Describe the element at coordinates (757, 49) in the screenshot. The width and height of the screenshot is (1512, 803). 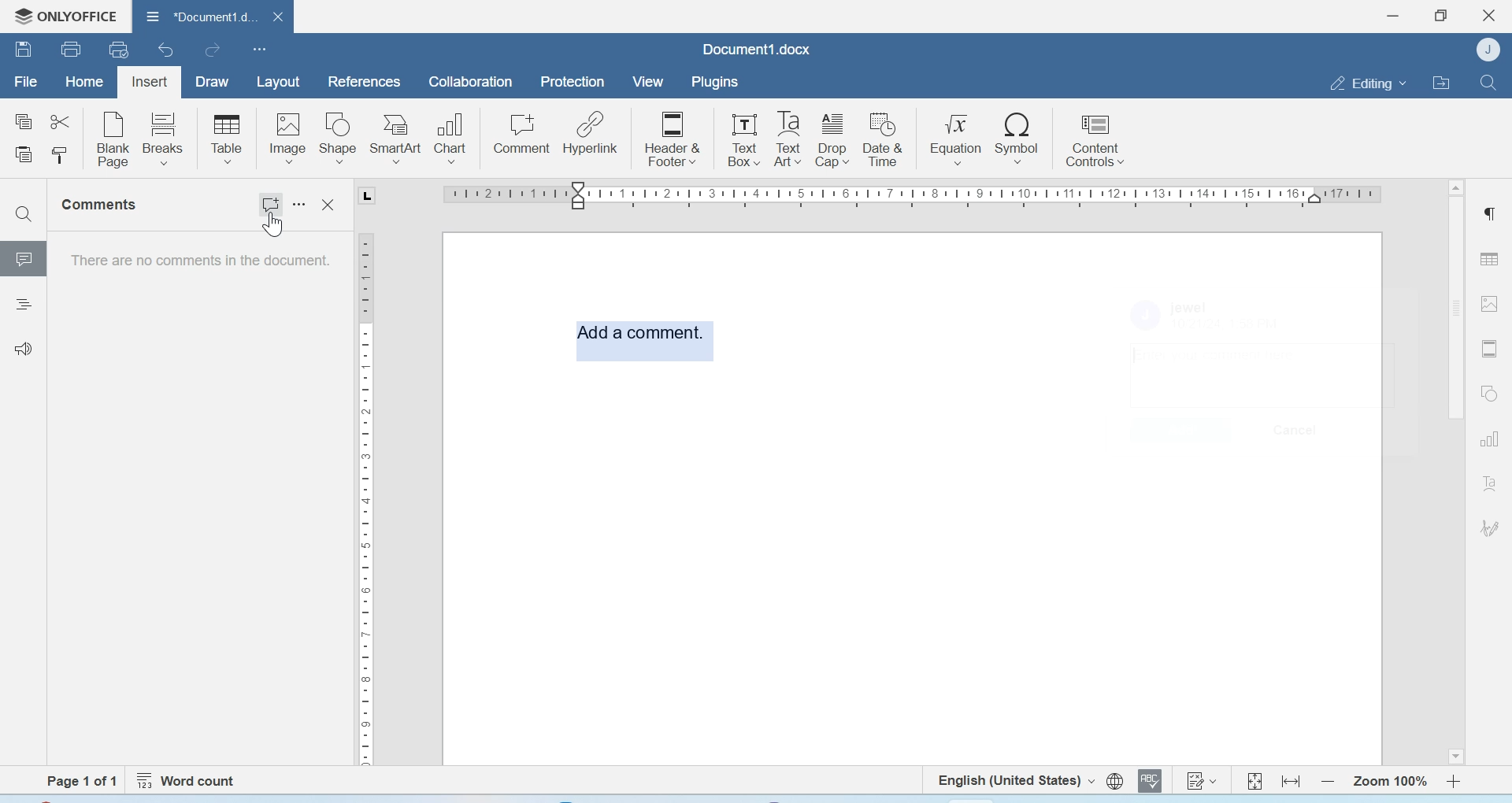
I see `Document1.docx` at that location.